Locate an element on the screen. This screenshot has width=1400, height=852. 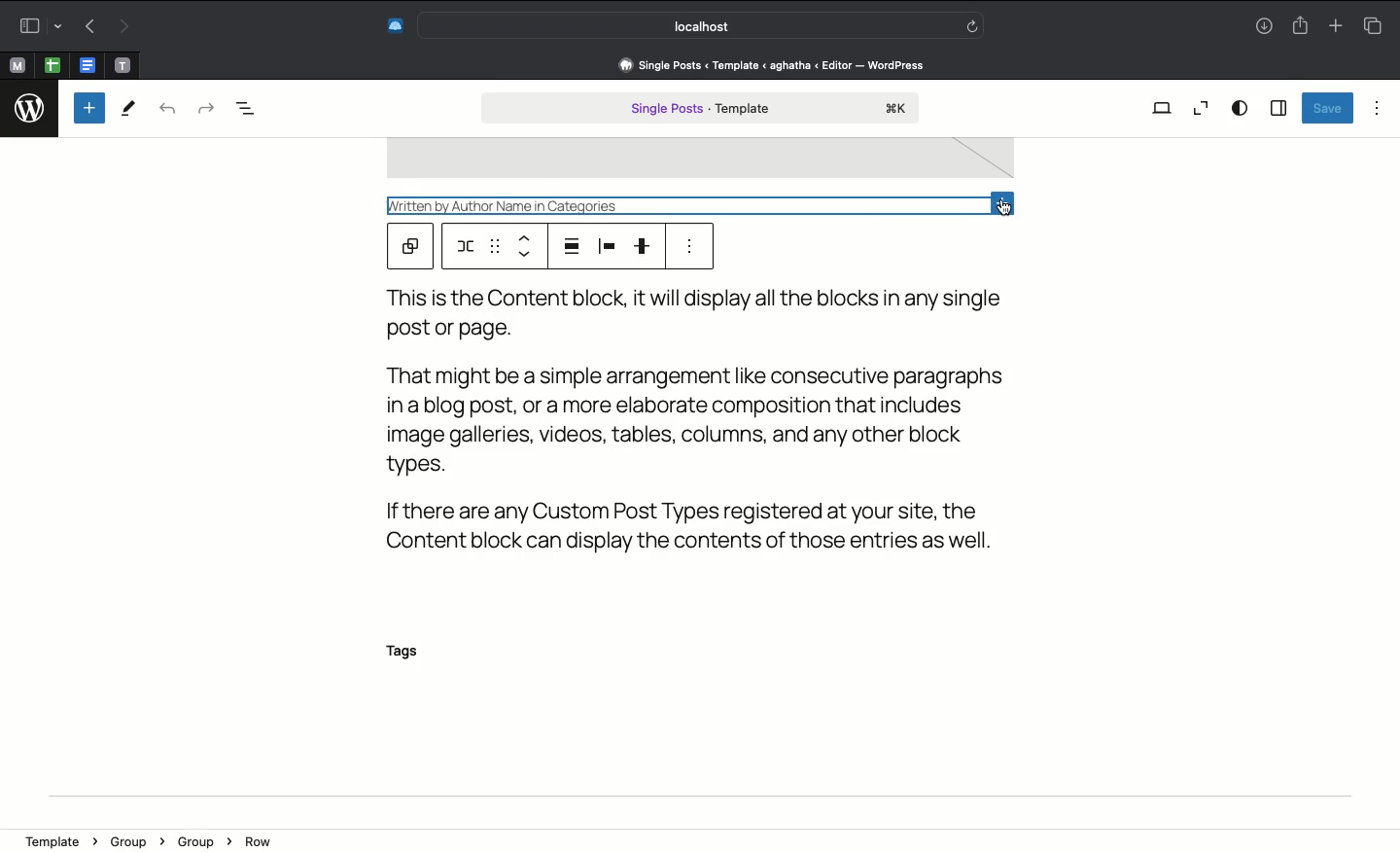
Search bar is located at coordinates (704, 25).